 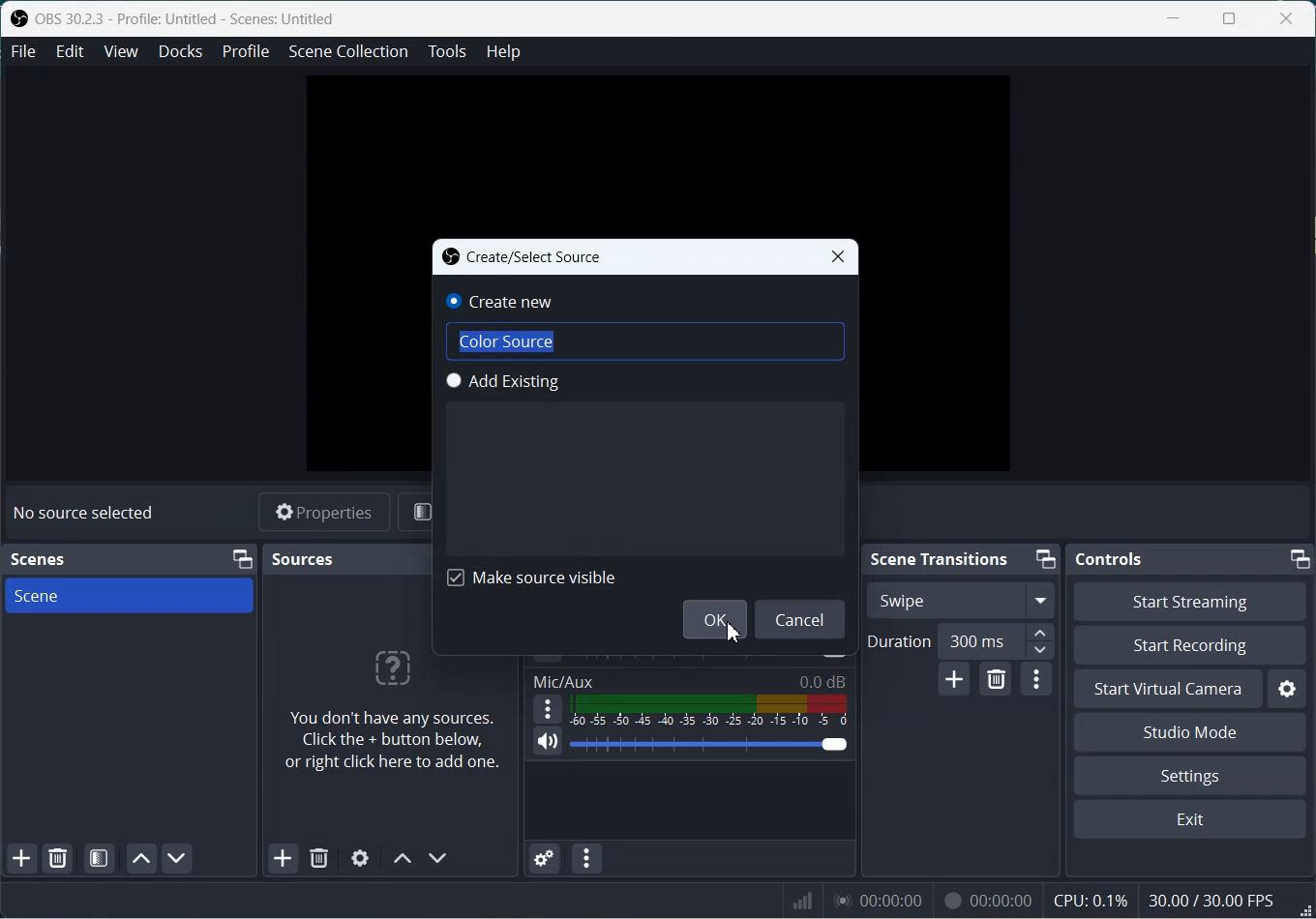 I want to click on Settings, so click(x=1287, y=689).